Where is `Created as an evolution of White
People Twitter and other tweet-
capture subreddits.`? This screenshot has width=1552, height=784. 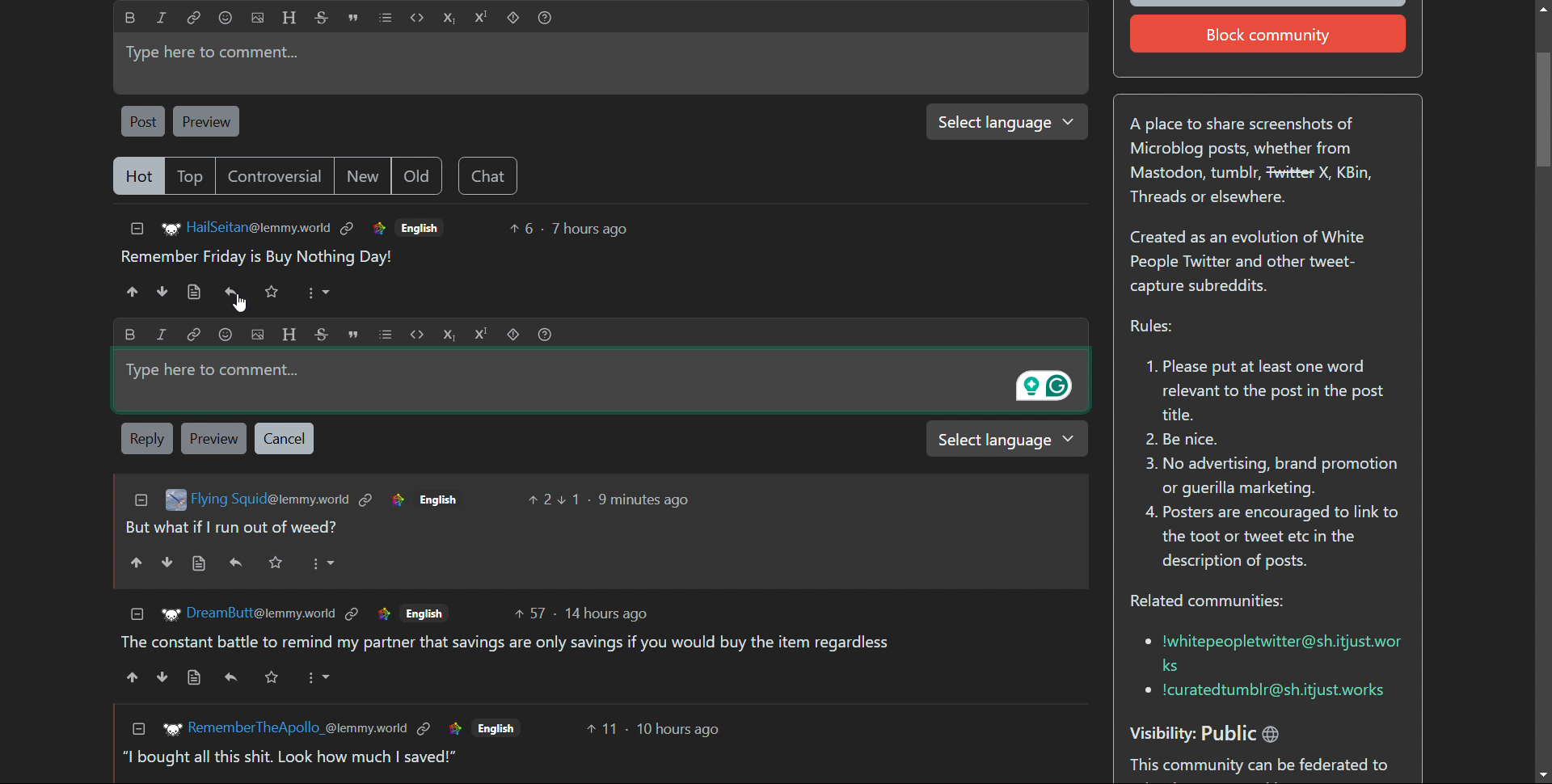
Created as an evolution of White
People Twitter and other tweet-
capture subreddits. is located at coordinates (1256, 263).